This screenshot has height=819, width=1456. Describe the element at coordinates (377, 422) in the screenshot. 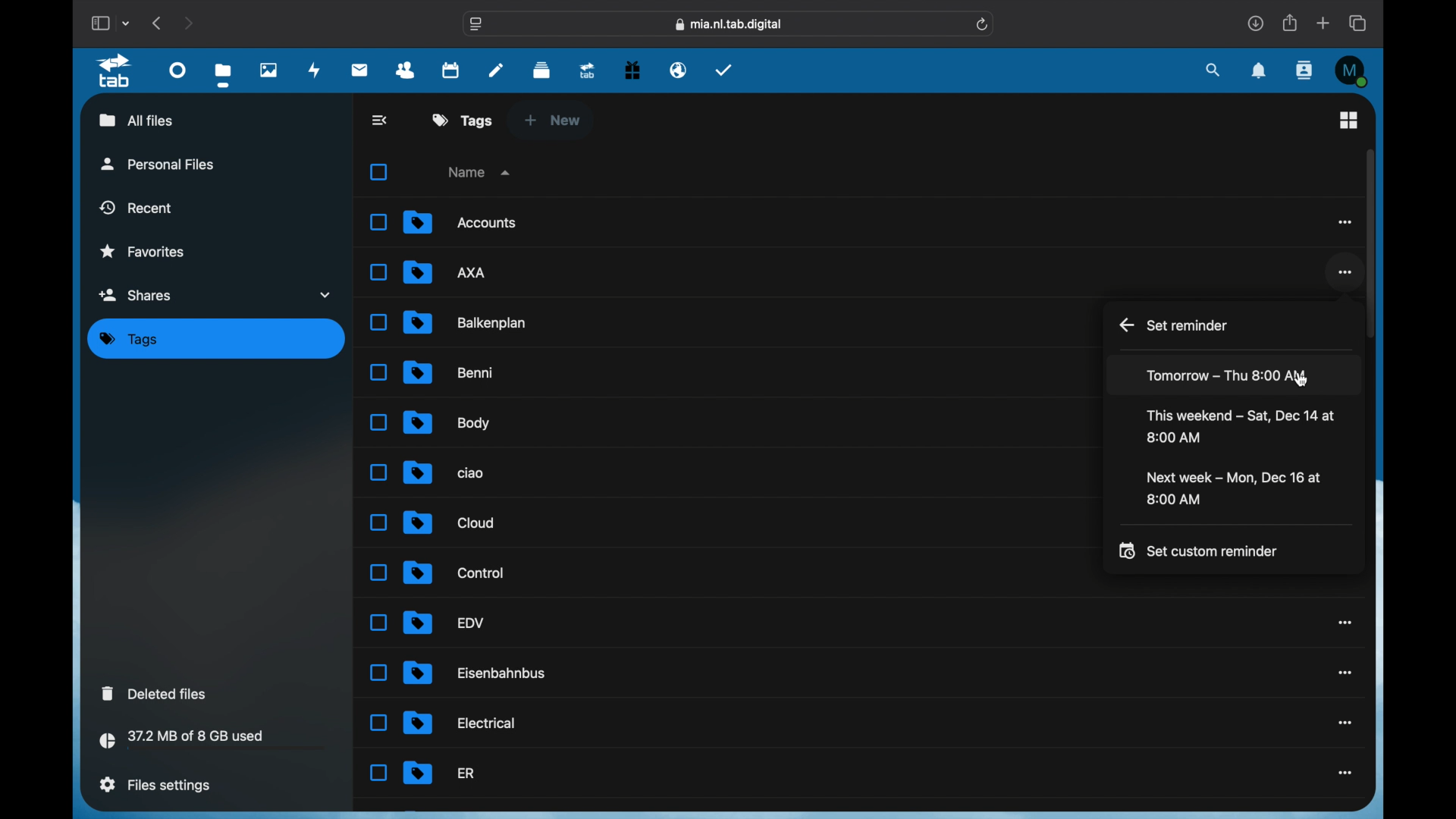

I see `Unselected Checkbox` at that location.